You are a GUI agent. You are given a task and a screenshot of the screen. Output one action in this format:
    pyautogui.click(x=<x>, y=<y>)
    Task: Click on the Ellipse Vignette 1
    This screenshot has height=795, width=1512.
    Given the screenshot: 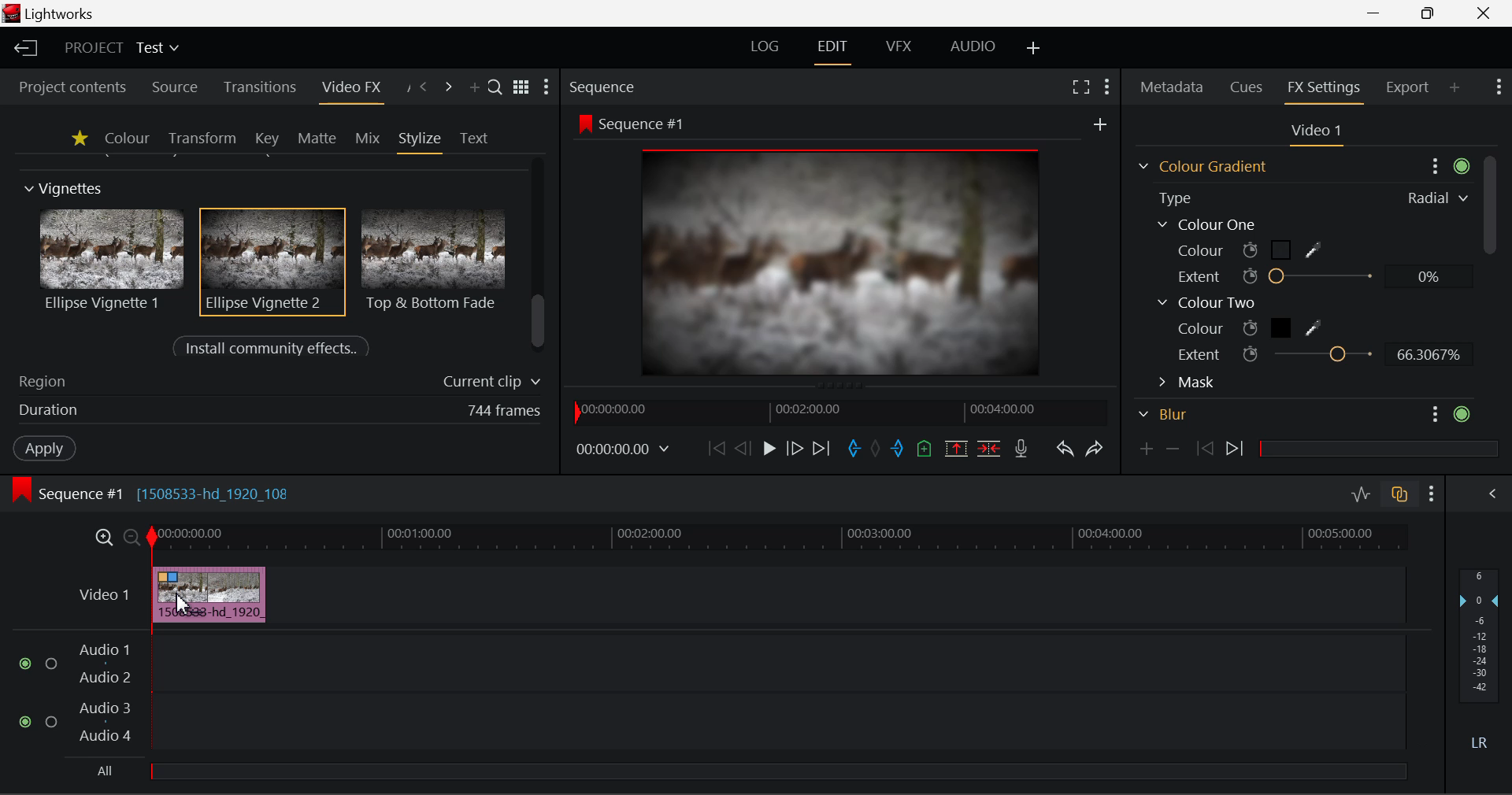 What is the action you would take?
    pyautogui.click(x=113, y=260)
    